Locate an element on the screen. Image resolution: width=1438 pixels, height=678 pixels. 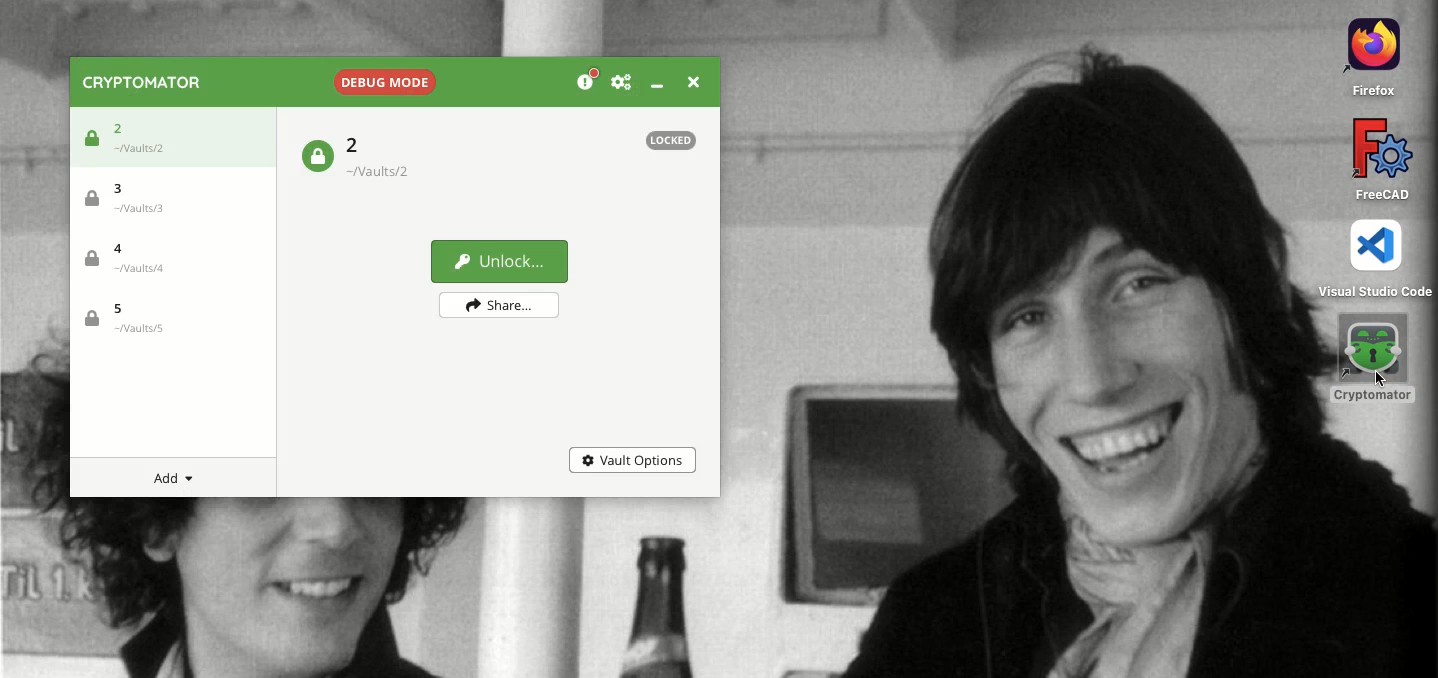
Add menu is located at coordinates (179, 479).